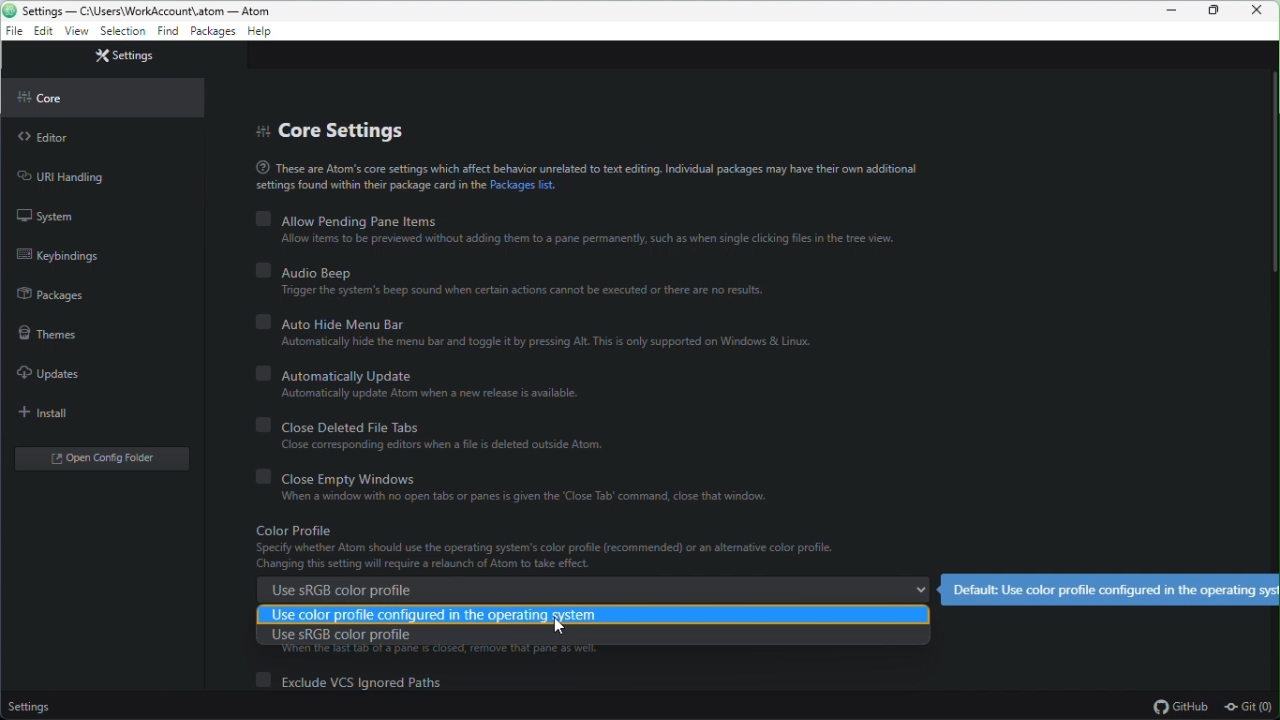 The width and height of the screenshot is (1280, 720). Describe the element at coordinates (1262, 11) in the screenshot. I see `Close` at that location.